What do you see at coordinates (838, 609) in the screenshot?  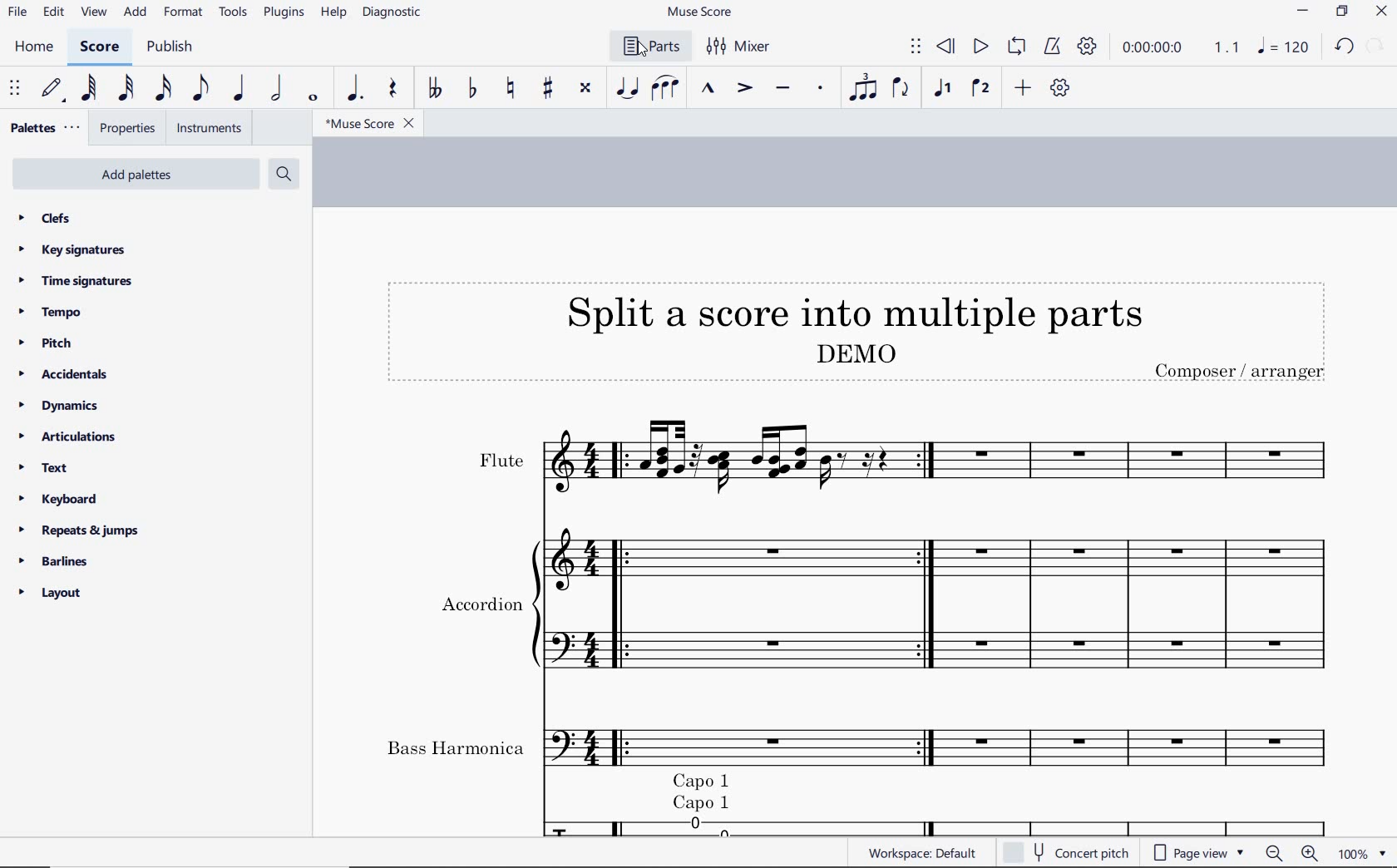 I see `Instrument: Accordion` at bounding box center [838, 609].